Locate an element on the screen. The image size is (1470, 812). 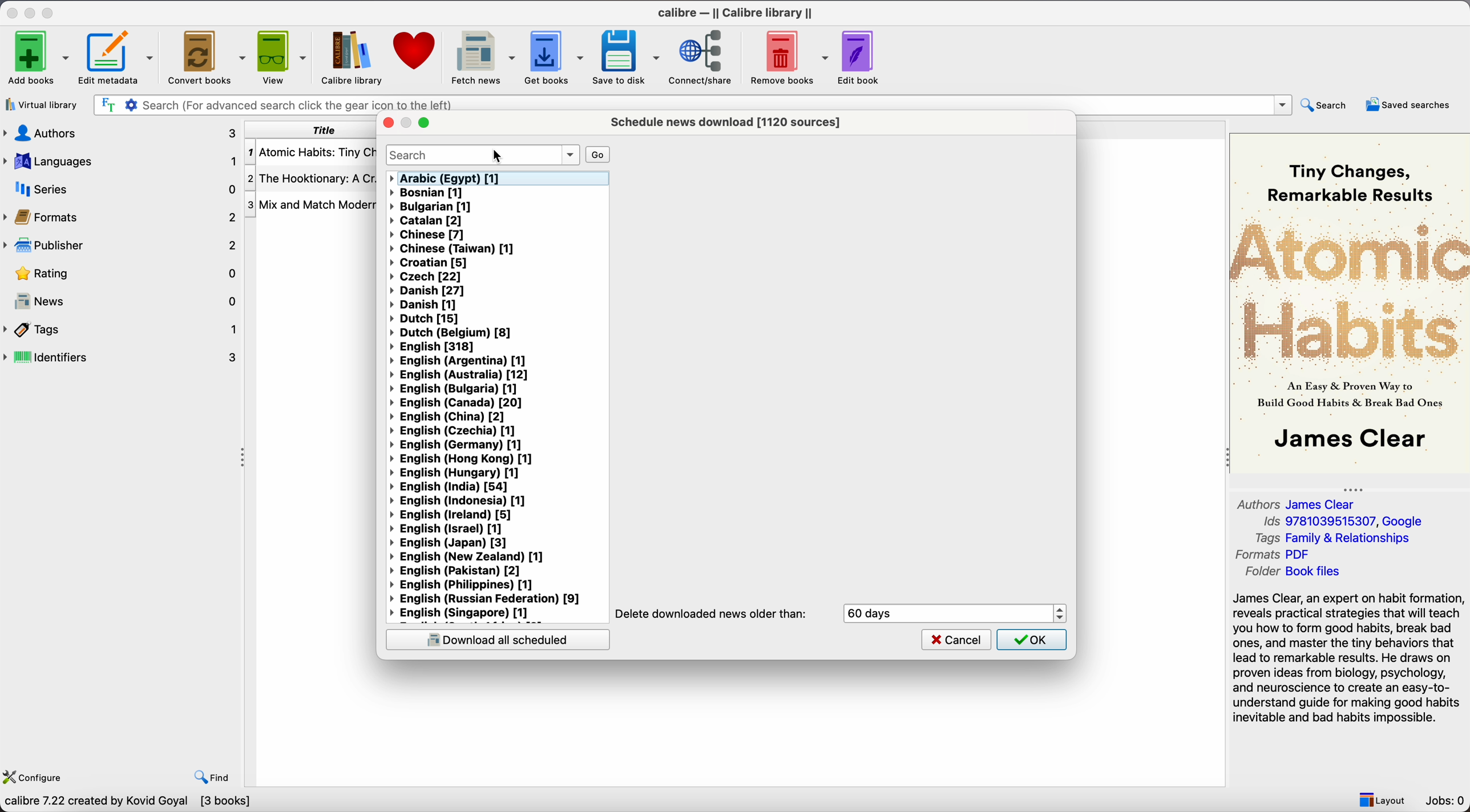
maximize is located at coordinates (49, 11).